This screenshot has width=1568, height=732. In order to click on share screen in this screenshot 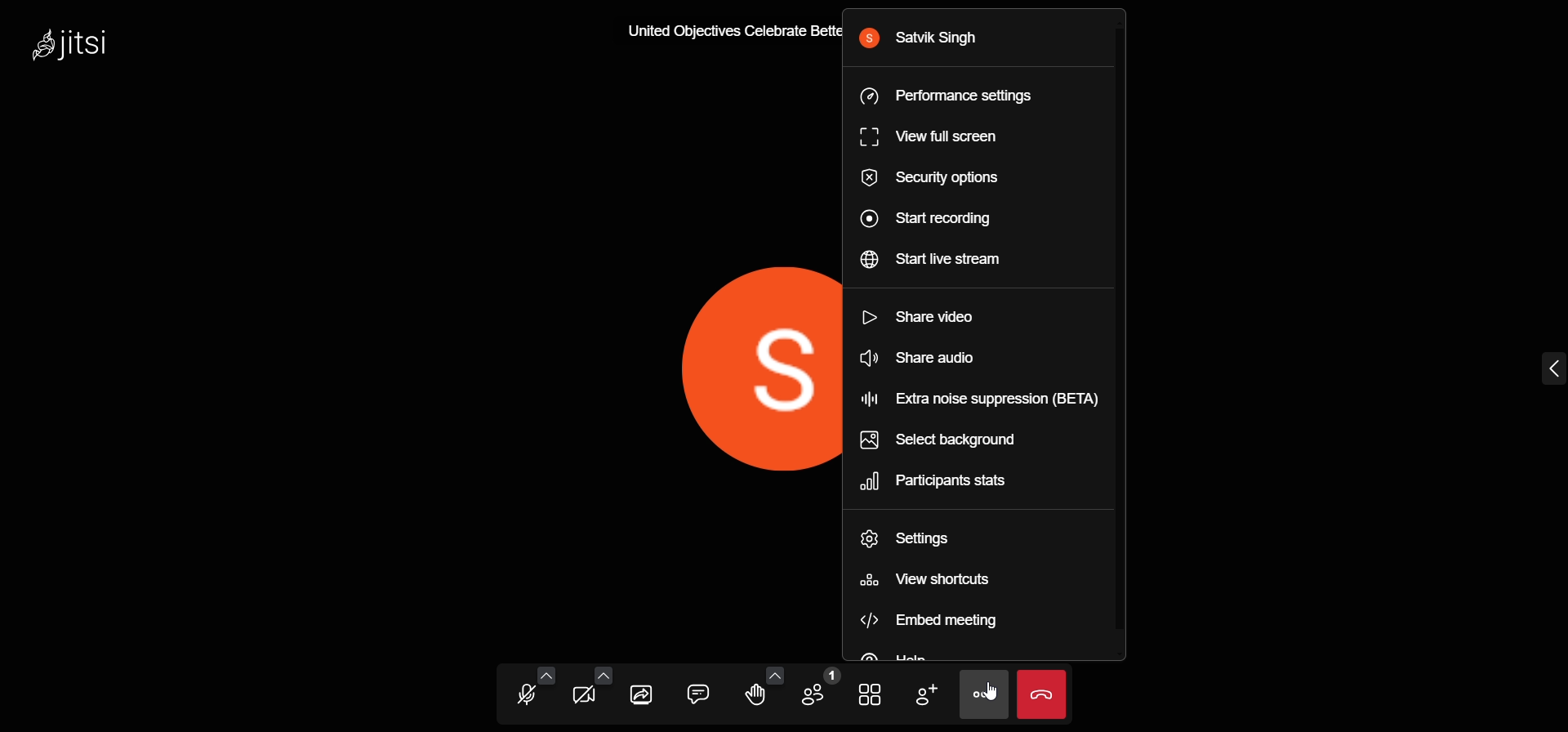, I will do `click(642, 695)`.